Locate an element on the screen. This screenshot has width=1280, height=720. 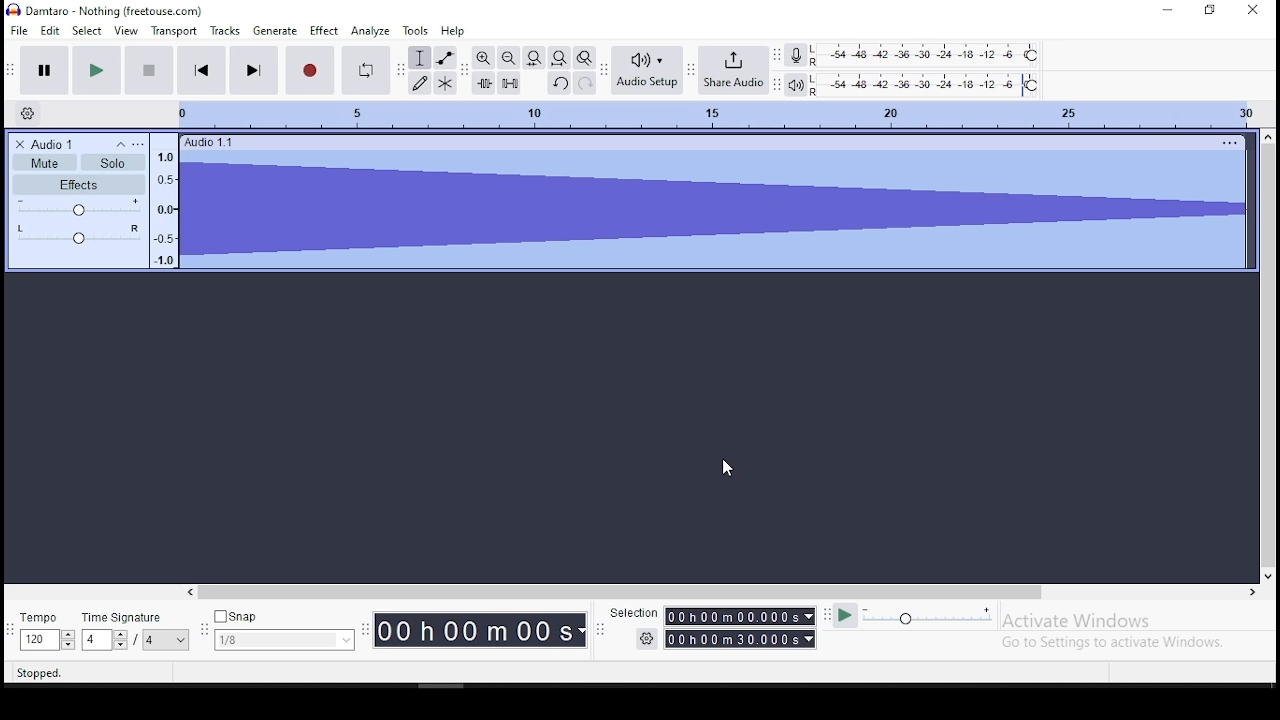
zoom in is located at coordinates (482, 58).